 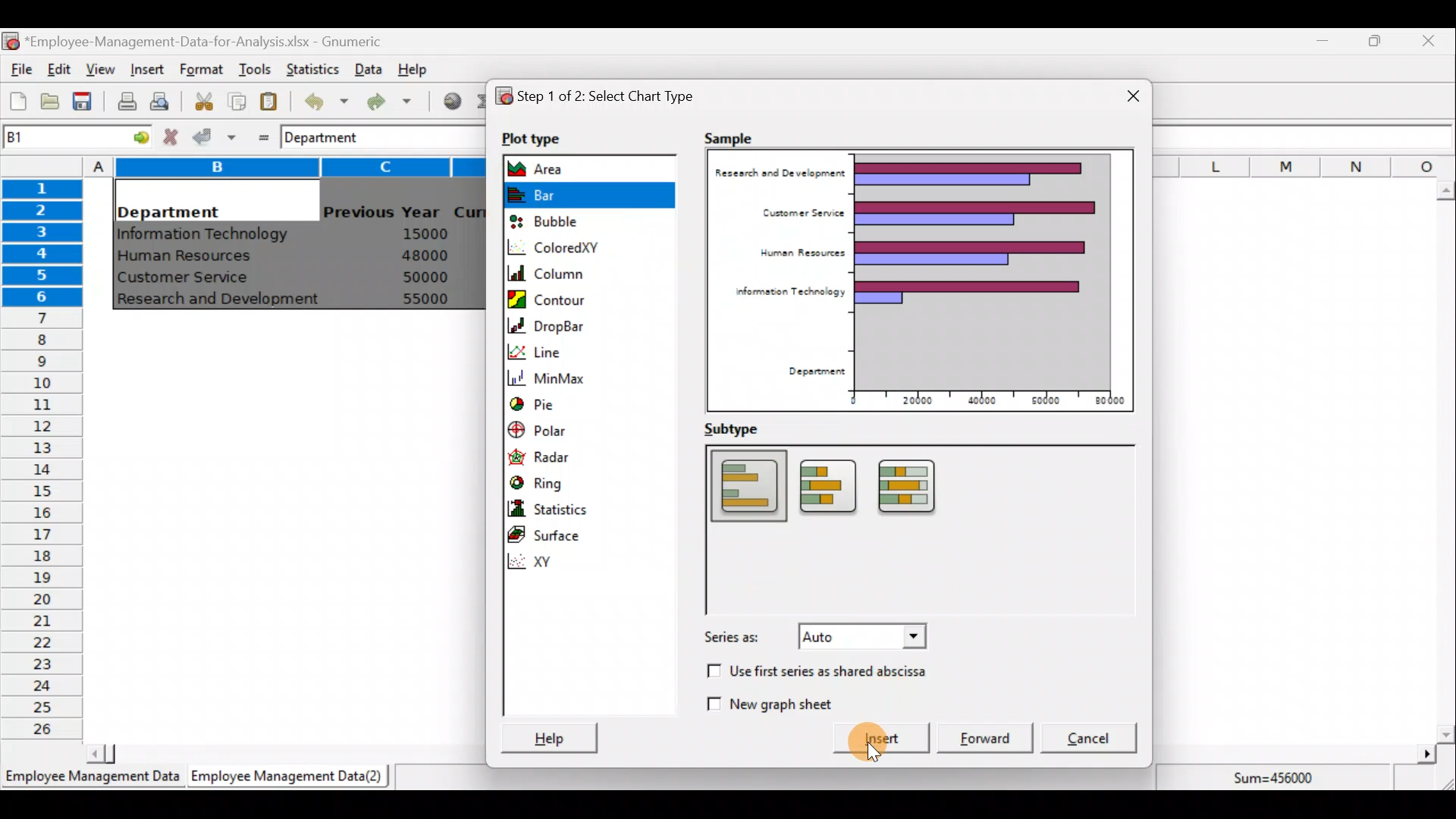 I want to click on Minimize, so click(x=1319, y=44).